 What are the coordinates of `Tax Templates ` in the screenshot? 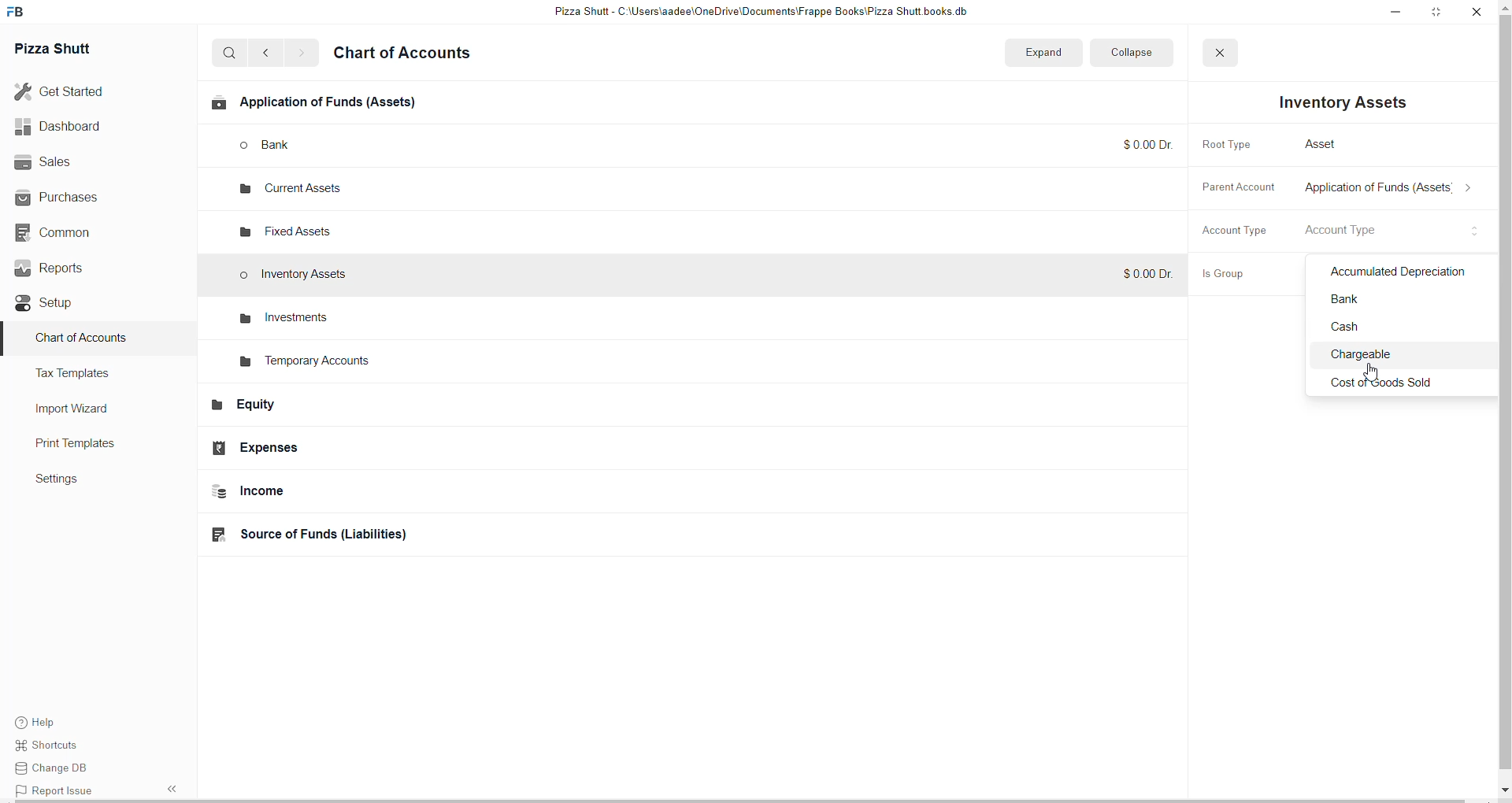 It's located at (92, 376).